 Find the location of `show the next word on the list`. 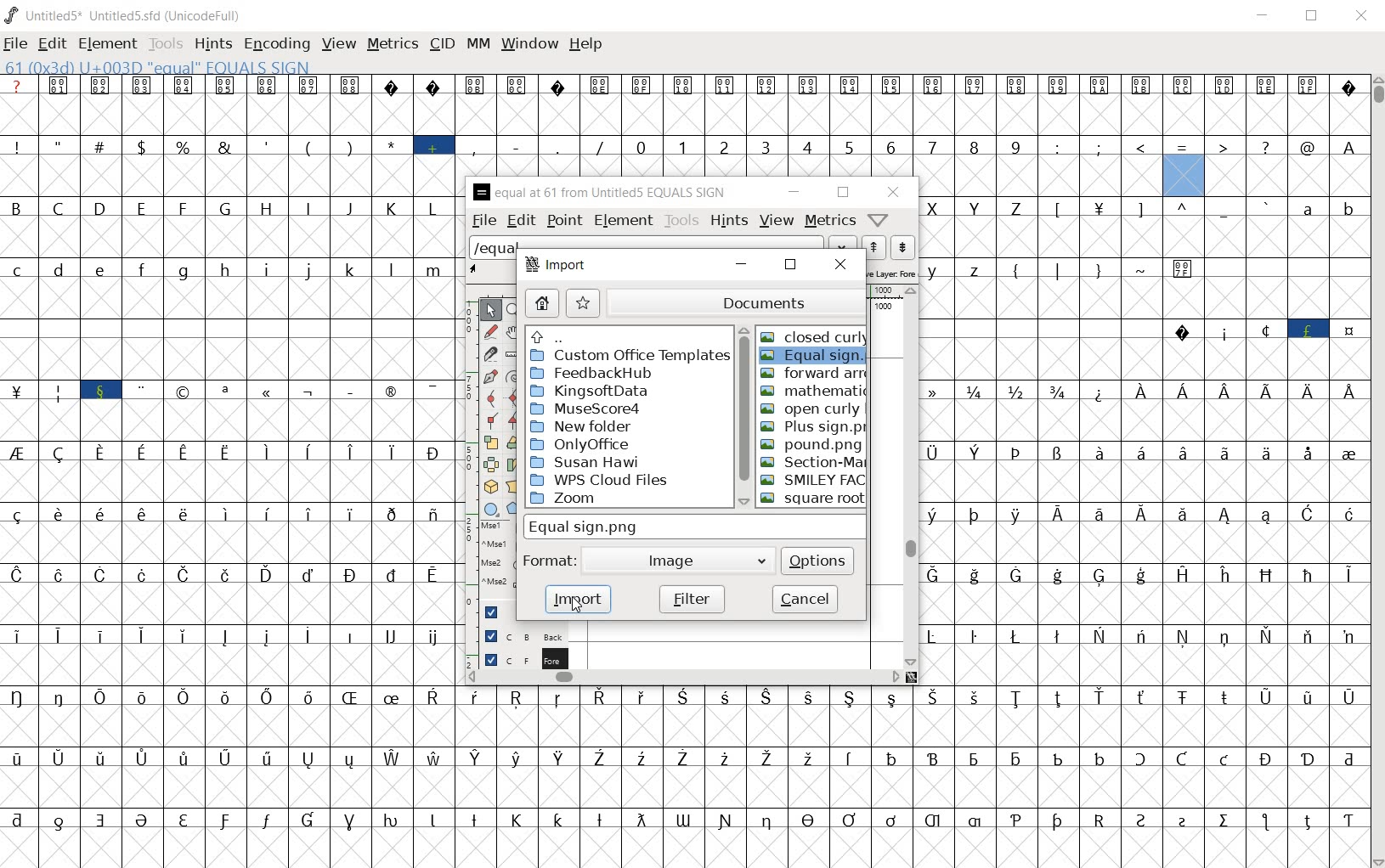

show the next word on the list is located at coordinates (873, 247).